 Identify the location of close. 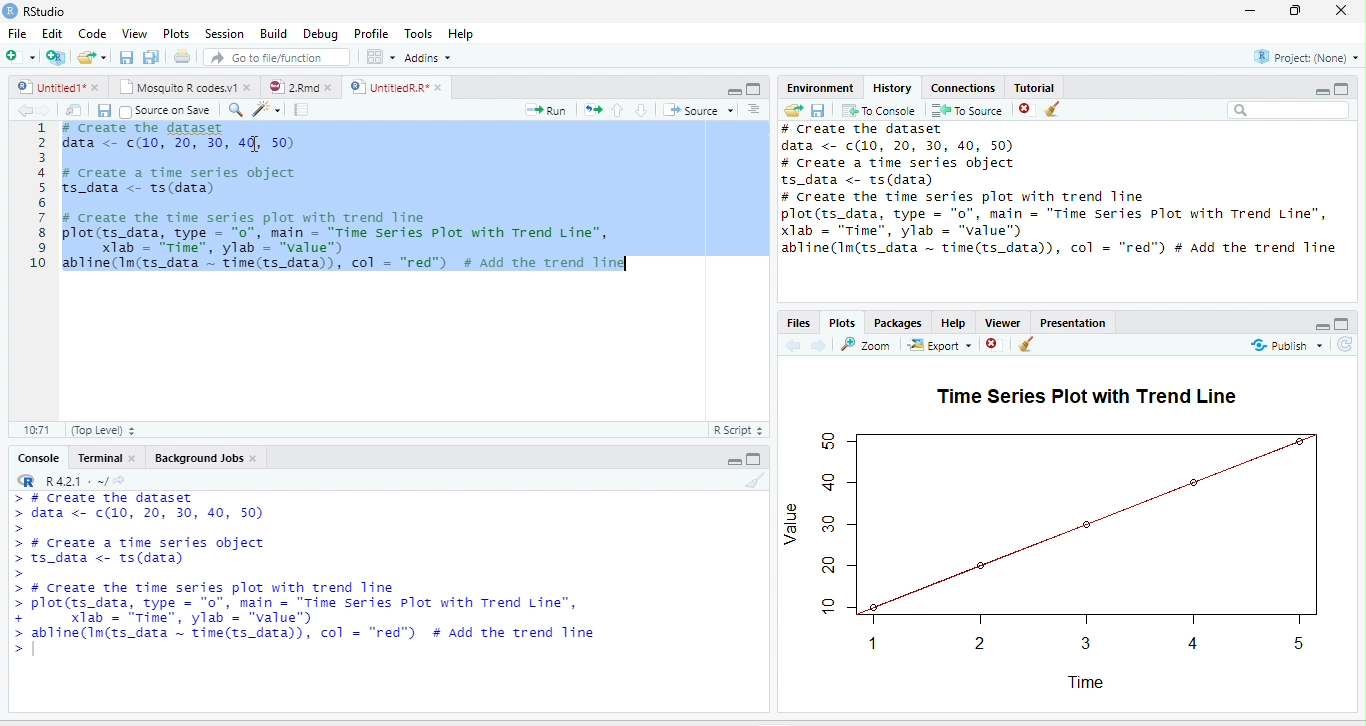
(131, 458).